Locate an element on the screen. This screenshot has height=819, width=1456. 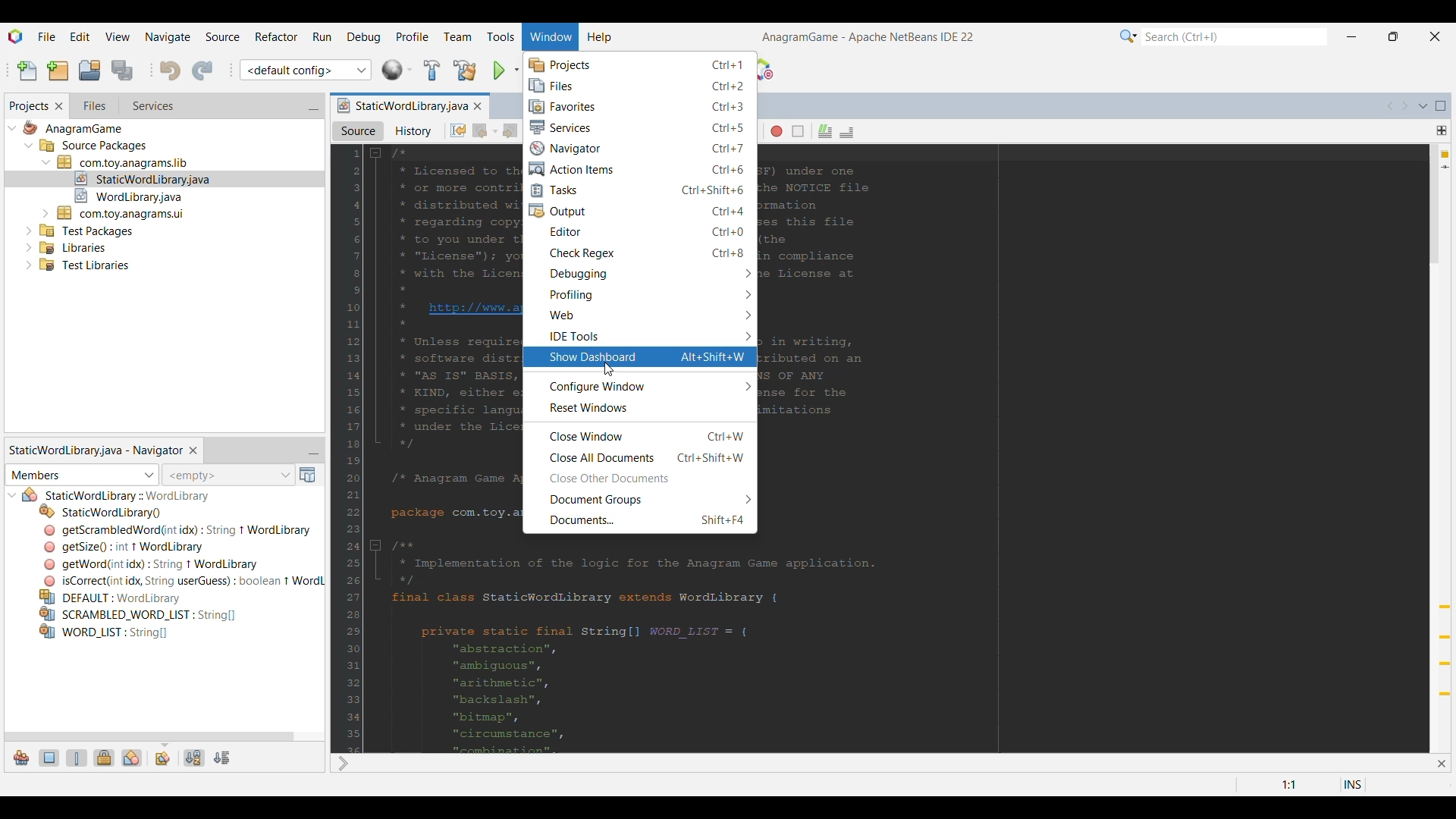
 is located at coordinates (81, 268).